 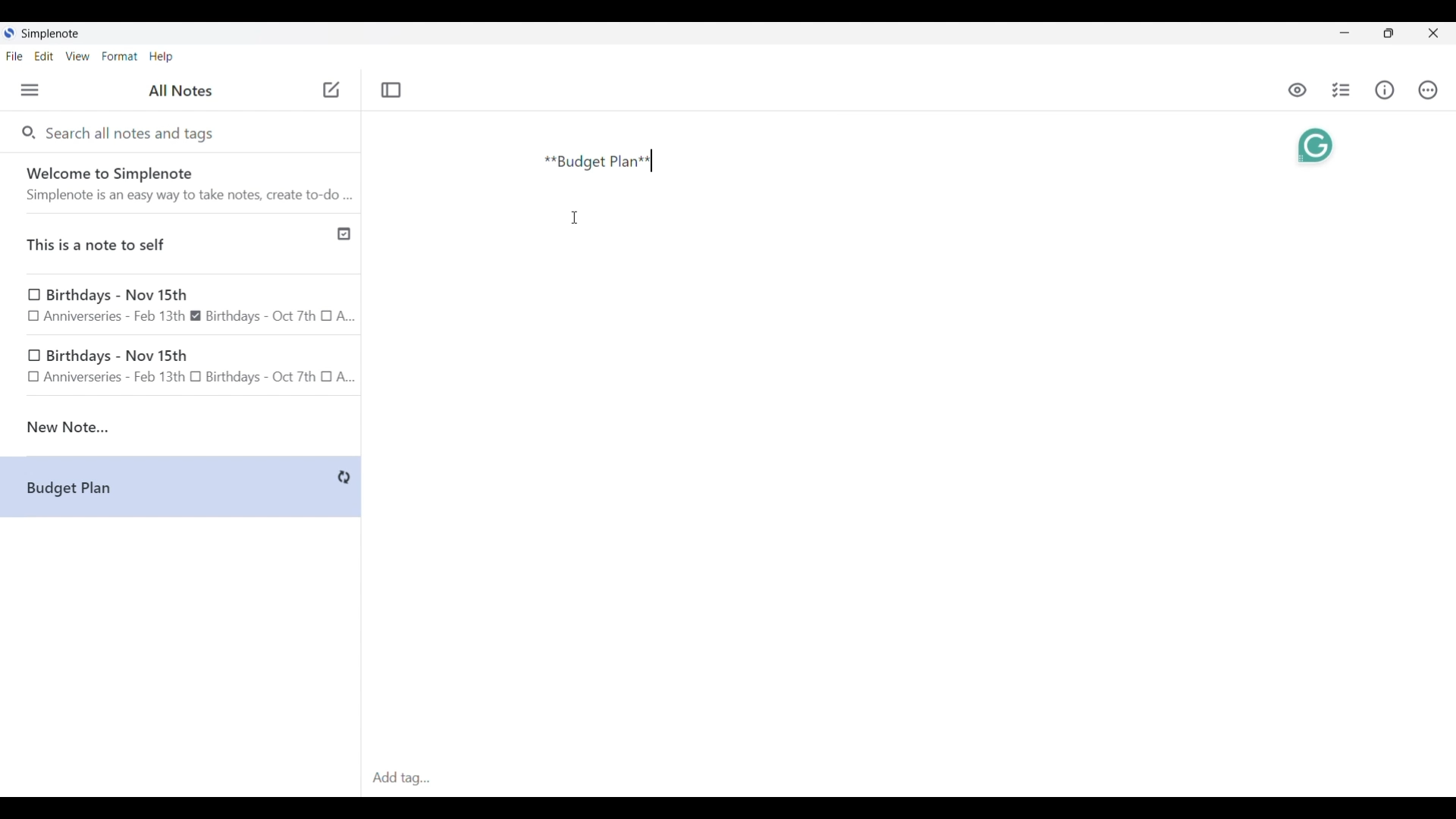 I want to click on Insert checklist, so click(x=1342, y=90).